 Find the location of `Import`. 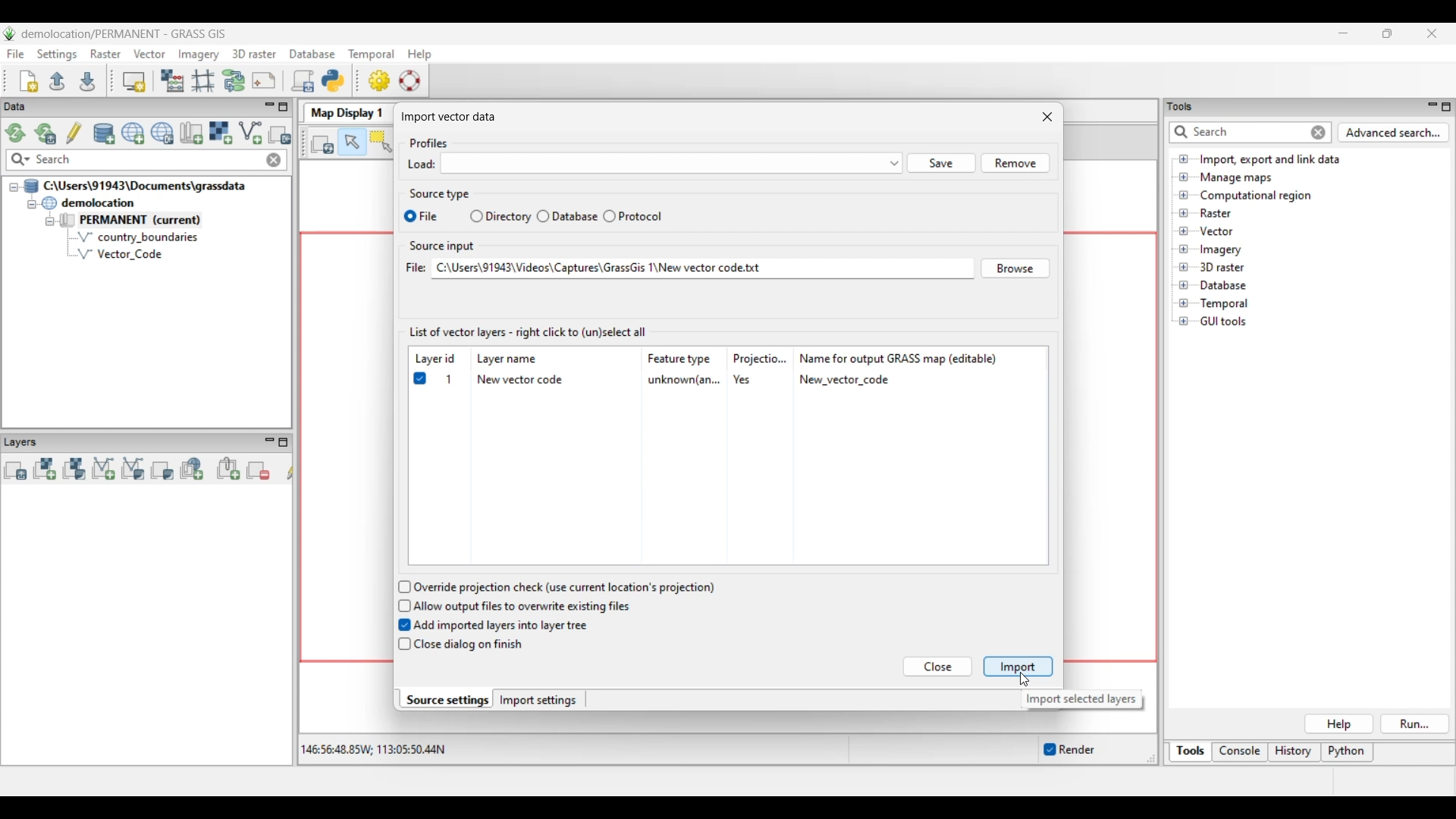

Import is located at coordinates (1018, 667).